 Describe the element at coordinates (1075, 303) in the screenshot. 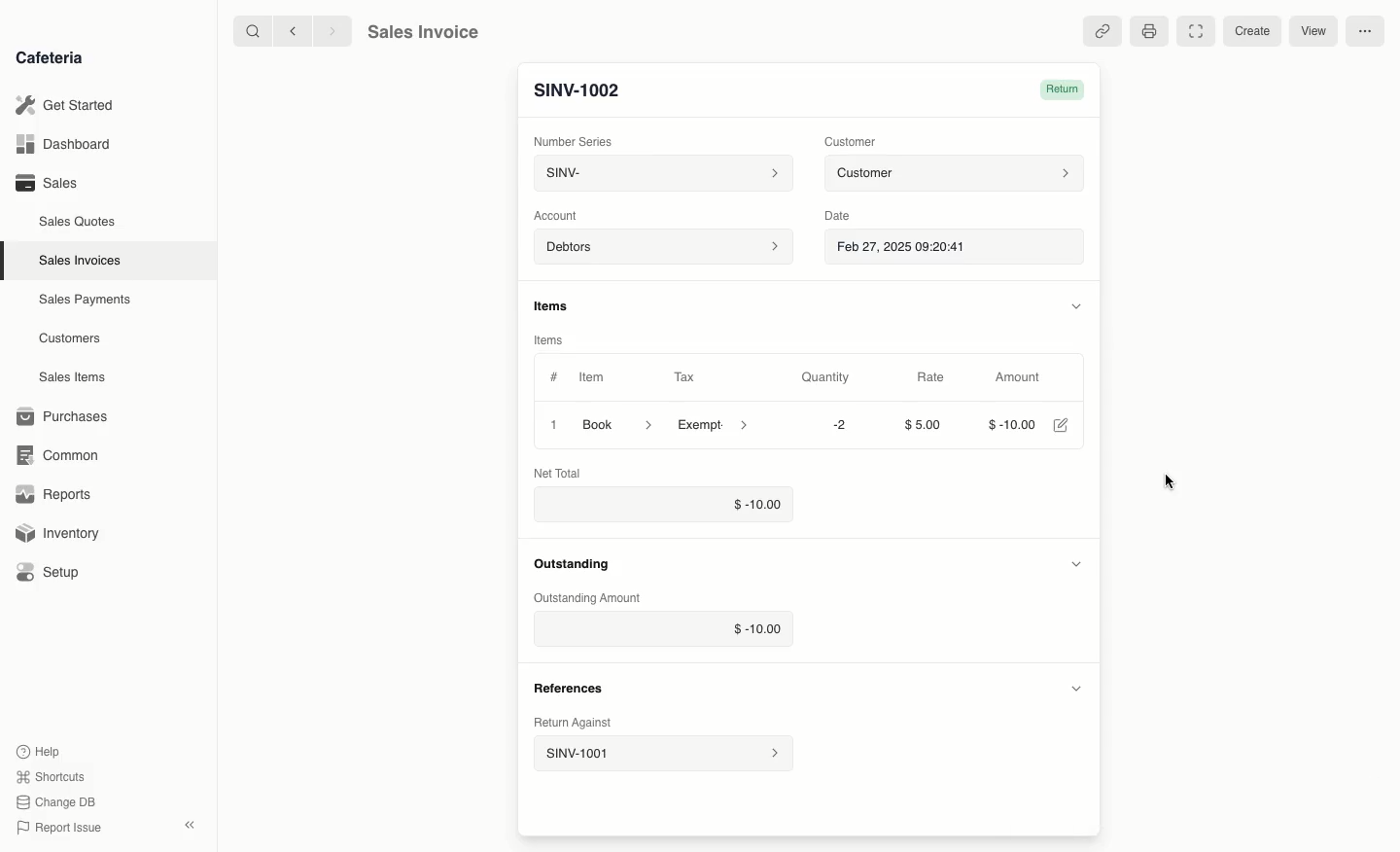

I see `Hide` at that location.